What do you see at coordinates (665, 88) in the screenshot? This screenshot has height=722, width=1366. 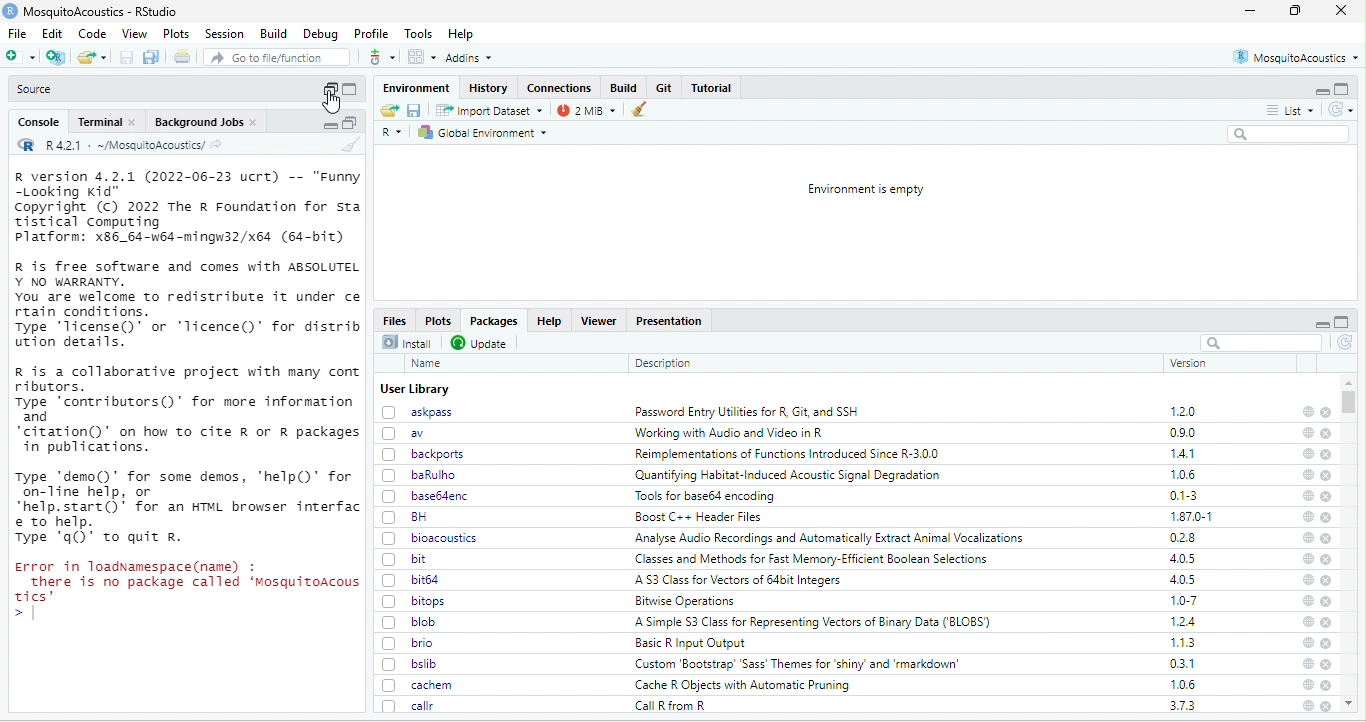 I see `Git` at bounding box center [665, 88].